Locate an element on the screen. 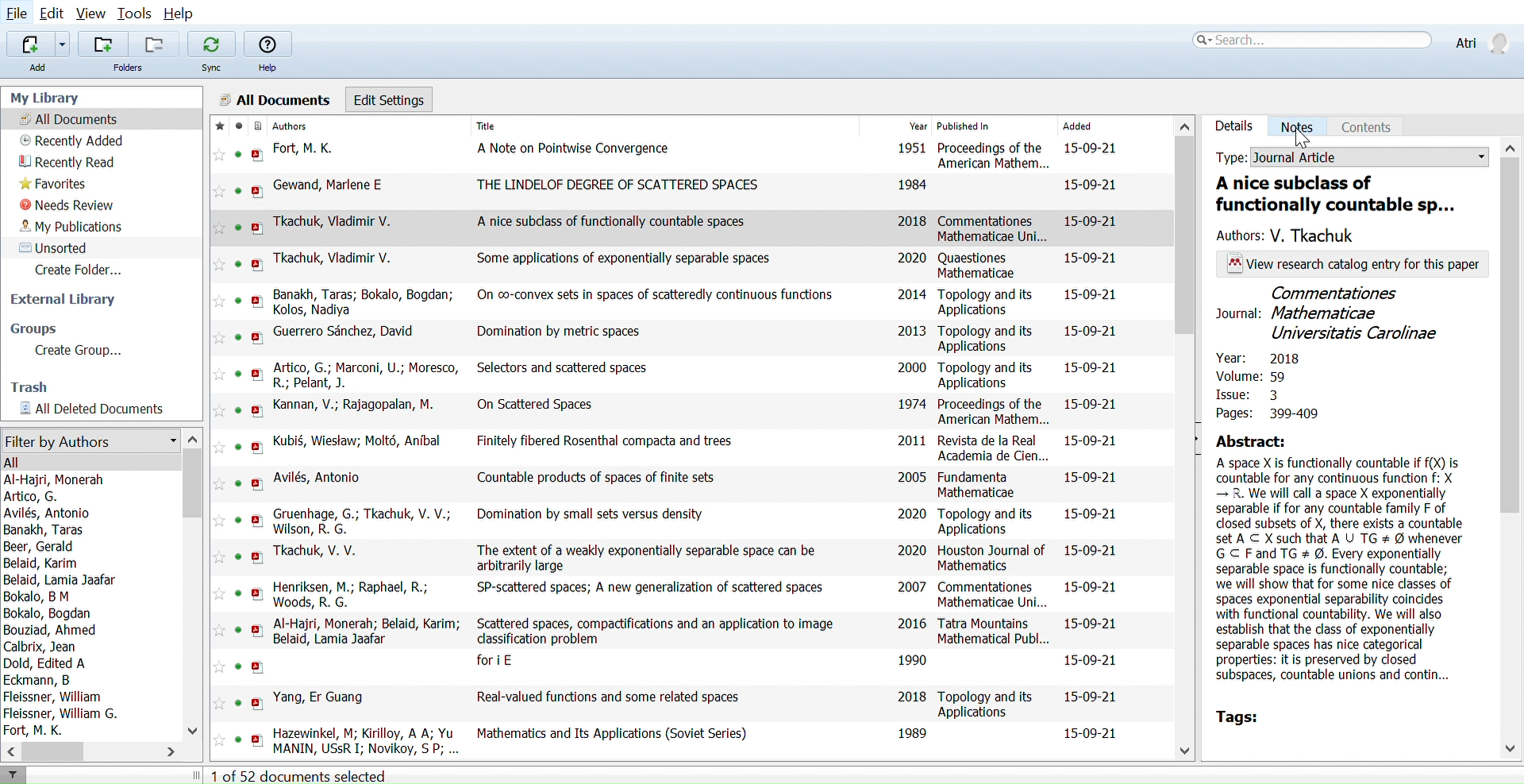 The image size is (1524, 784). Avilés, Antonio is located at coordinates (47, 513).